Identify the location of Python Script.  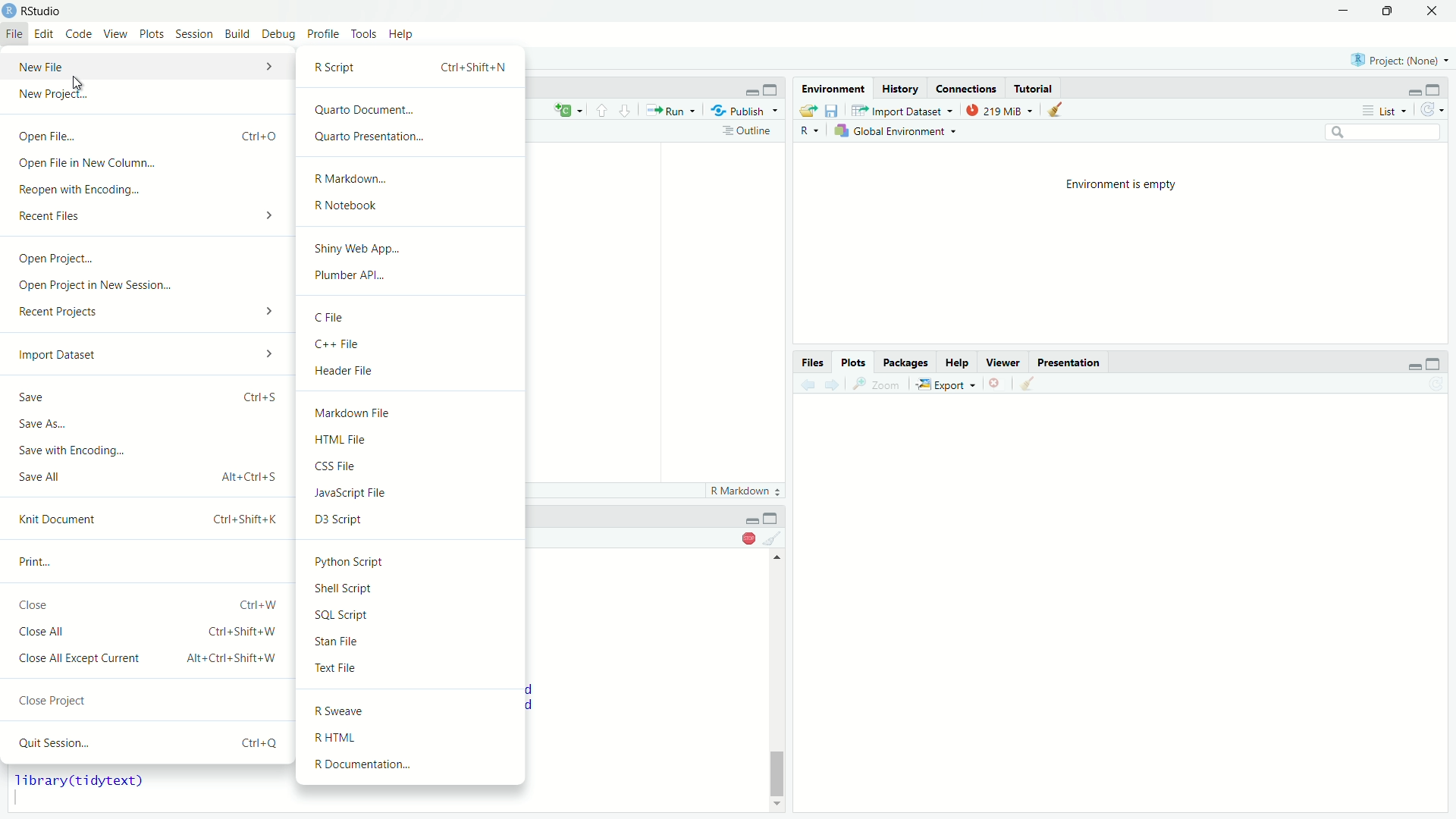
(412, 560).